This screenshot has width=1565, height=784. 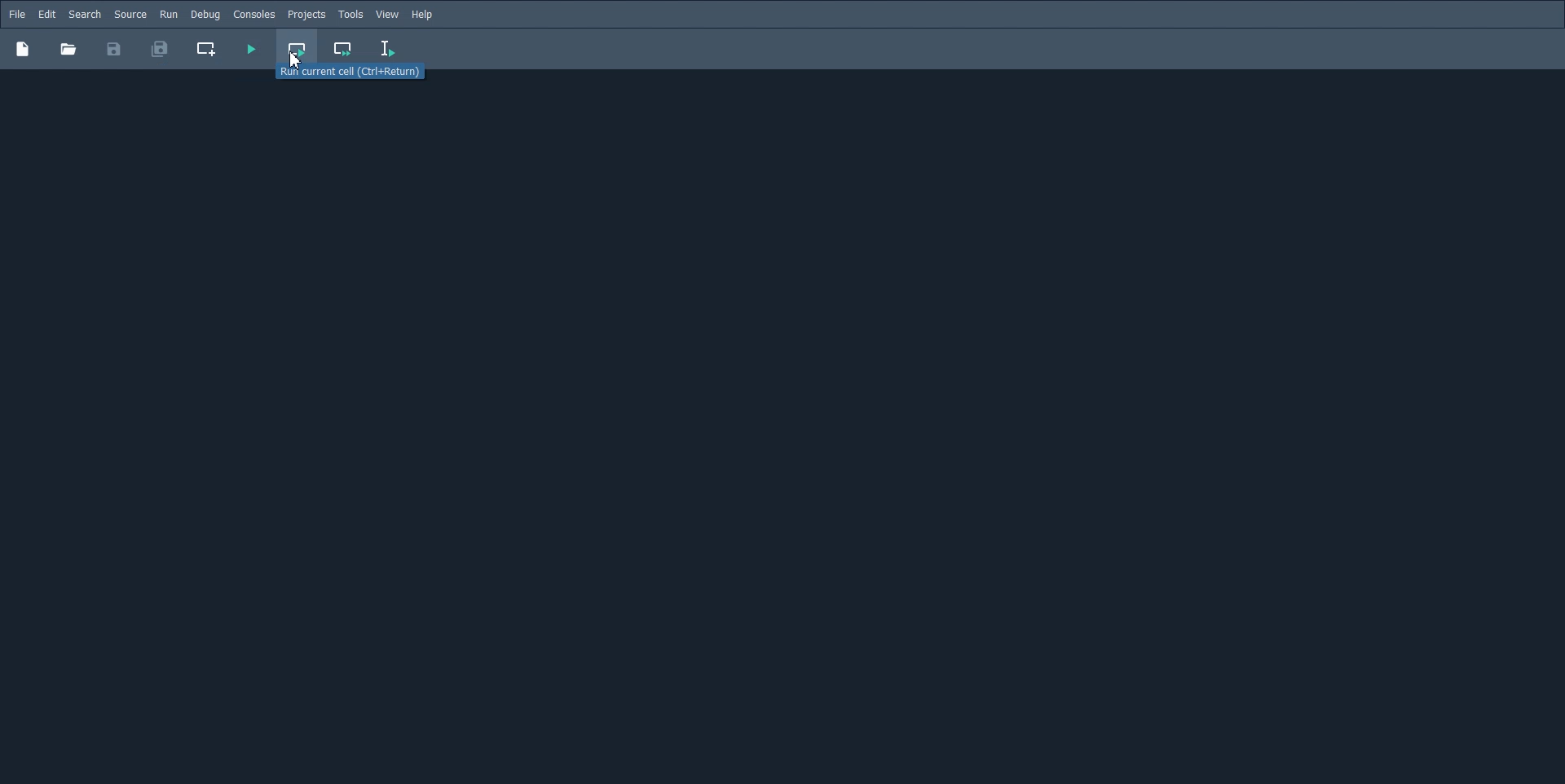 I want to click on Run Current cell, so click(x=298, y=49).